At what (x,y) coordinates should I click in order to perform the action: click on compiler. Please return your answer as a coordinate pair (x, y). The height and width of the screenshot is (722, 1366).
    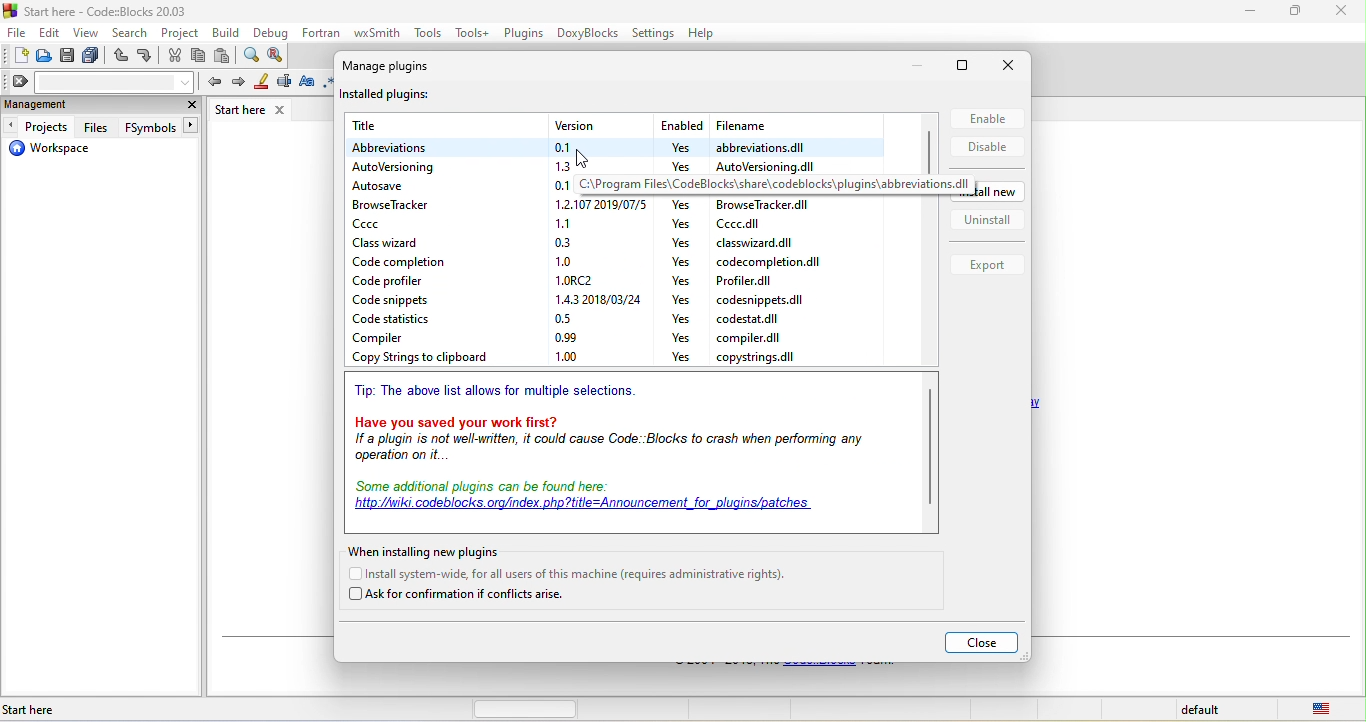
    Looking at the image, I should click on (425, 340).